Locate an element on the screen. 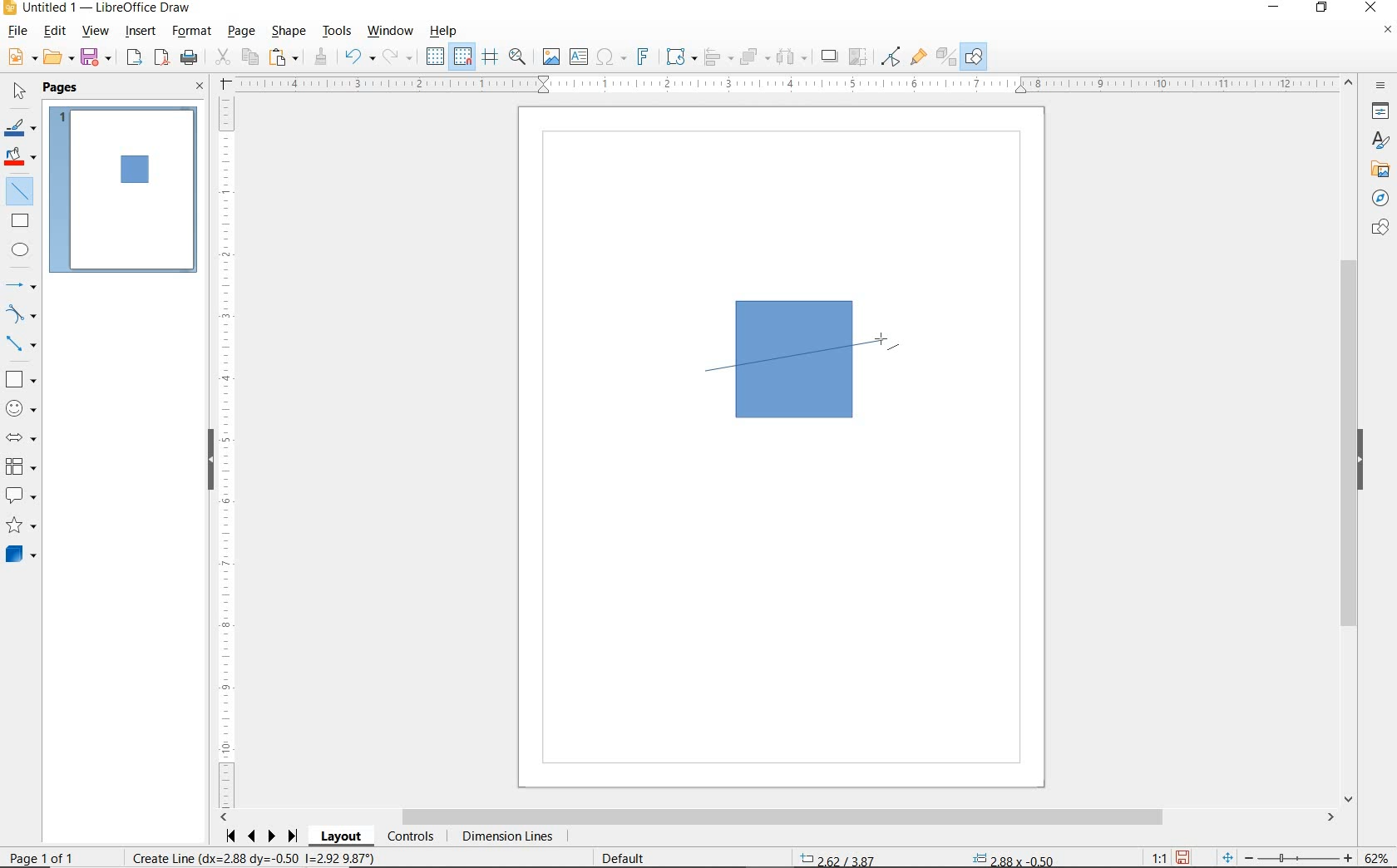  LINE TOOL is located at coordinates (710, 373).